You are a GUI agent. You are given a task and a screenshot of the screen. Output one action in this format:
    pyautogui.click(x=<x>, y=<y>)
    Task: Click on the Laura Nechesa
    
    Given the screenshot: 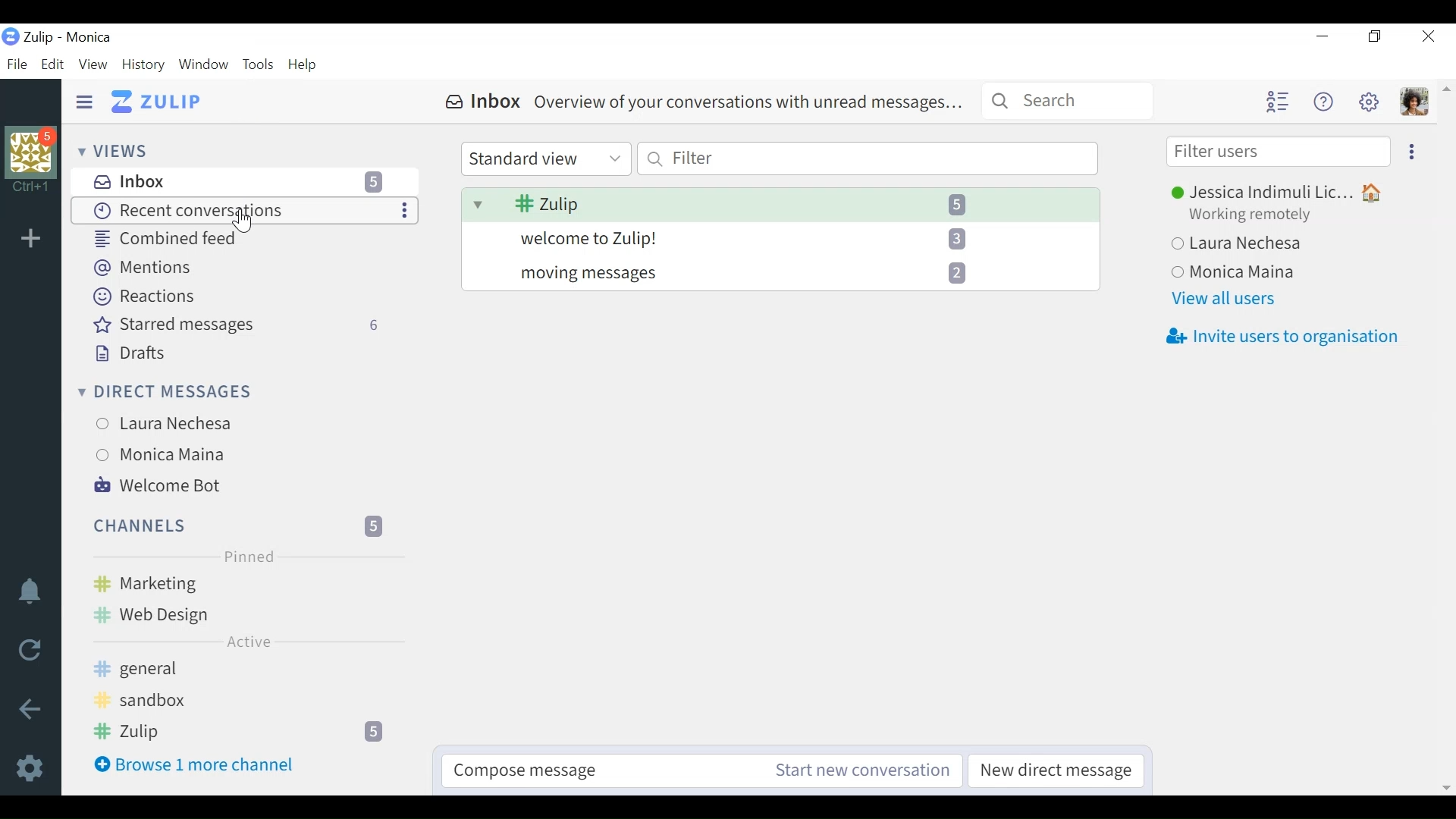 What is the action you would take?
    pyautogui.click(x=181, y=424)
    